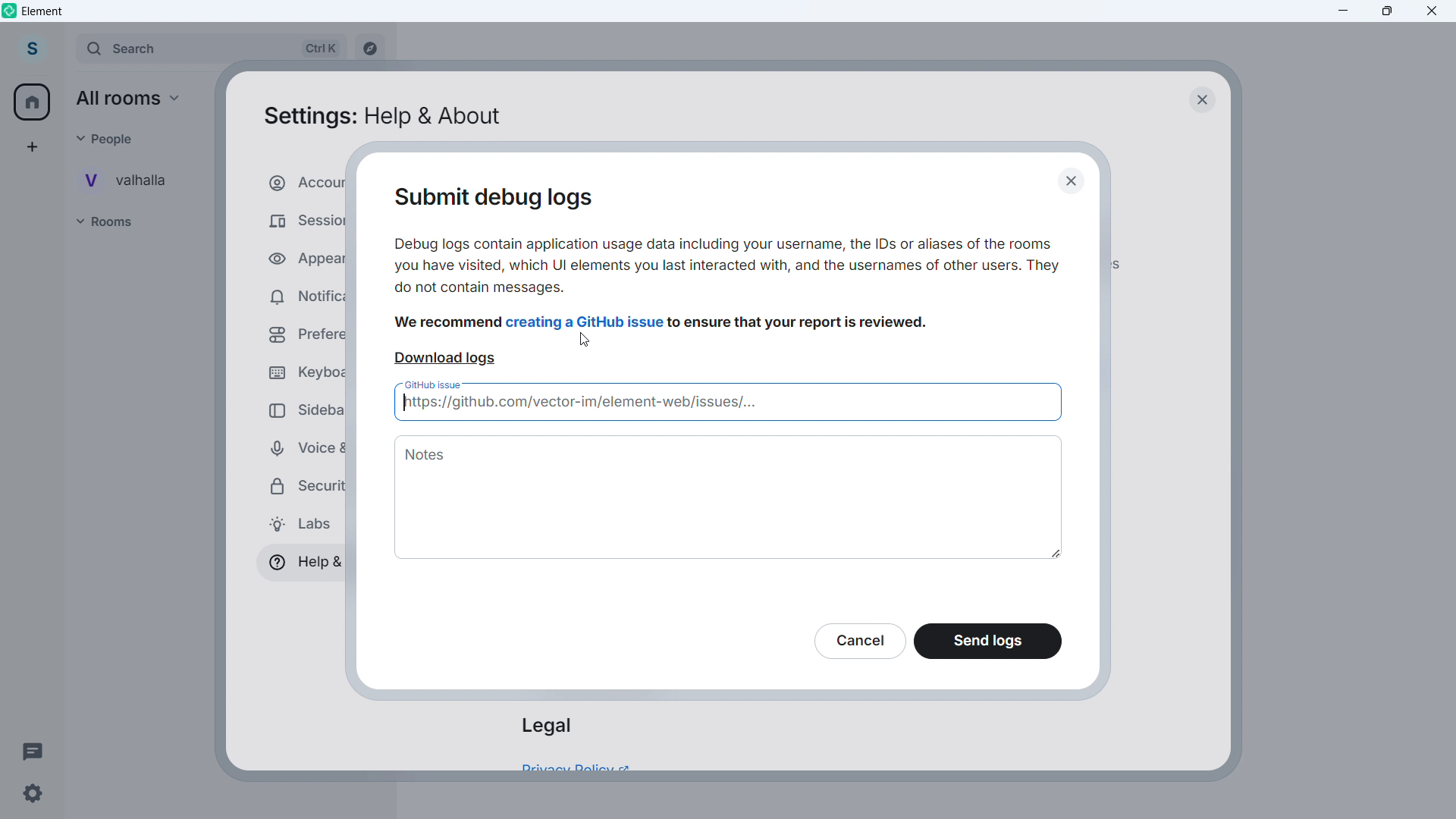 The image size is (1456, 819). Describe the element at coordinates (33, 102) in the screenshot. I see `home ` at that location.